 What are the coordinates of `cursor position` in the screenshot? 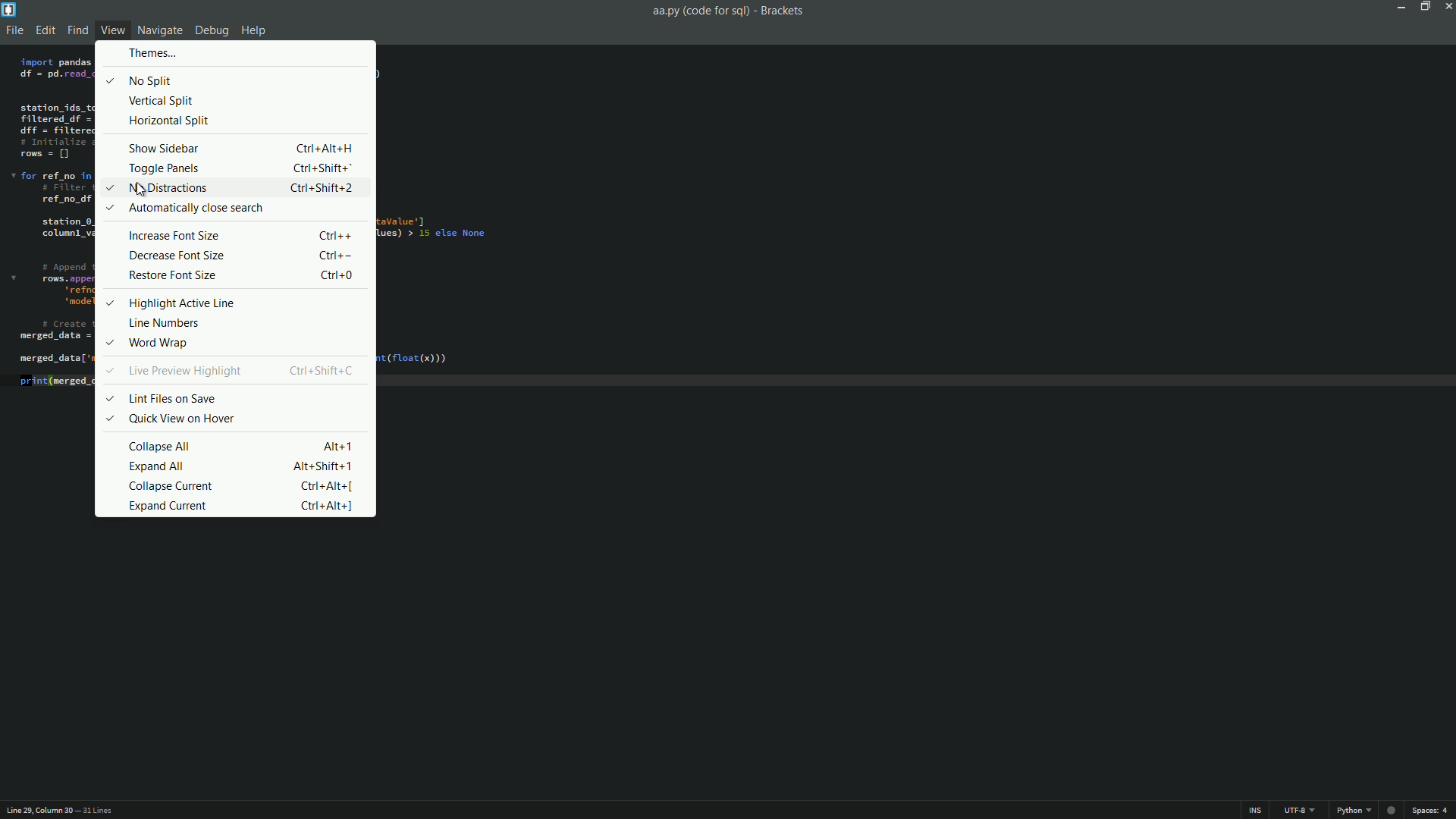 It's located at (37, 810).